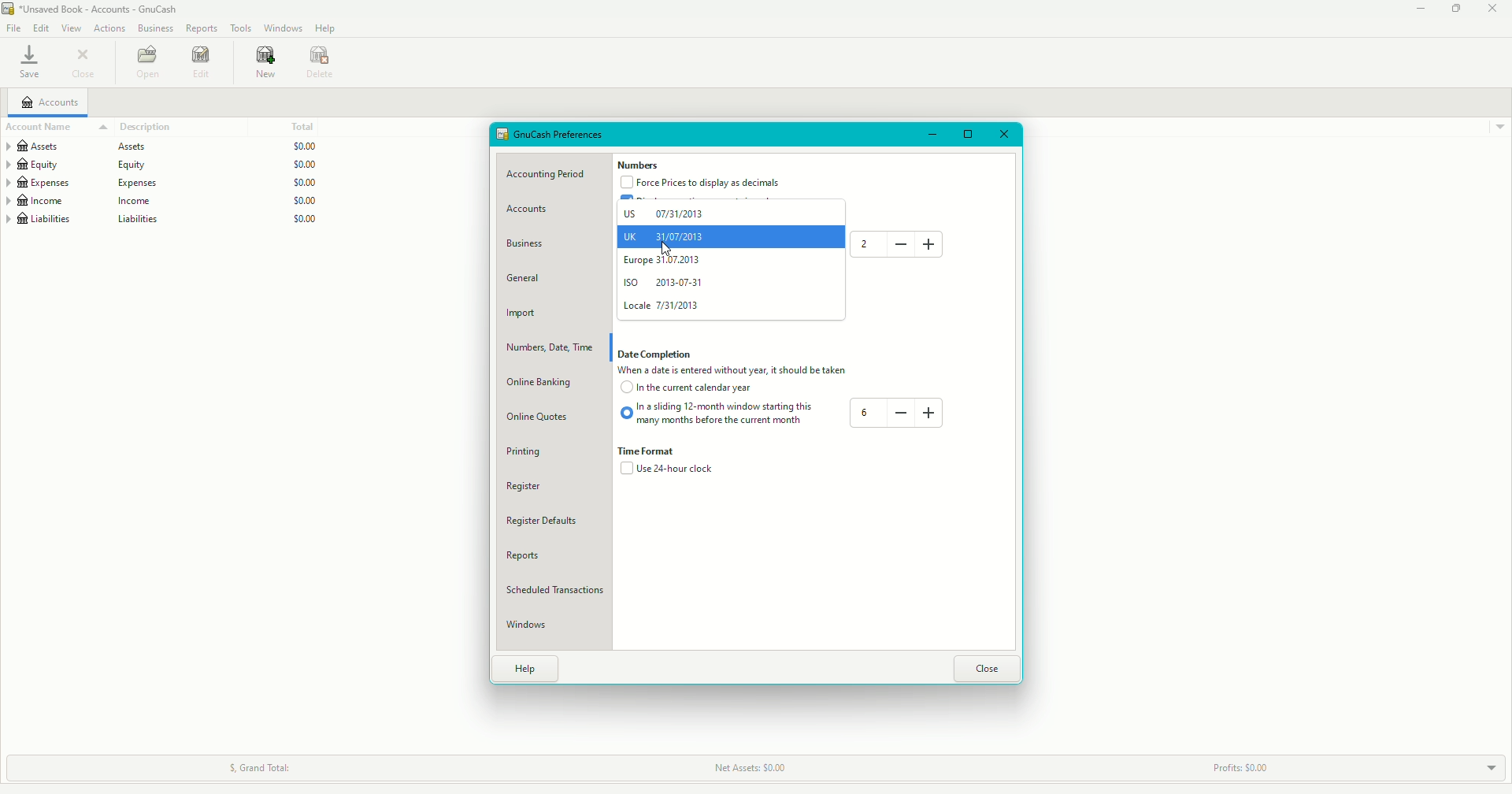 The width and height of the screenshot is (1512, 794). What do you see at coordinates (988, 666) in the screenshot?
I see `Close` at bounding box center [988, 666].